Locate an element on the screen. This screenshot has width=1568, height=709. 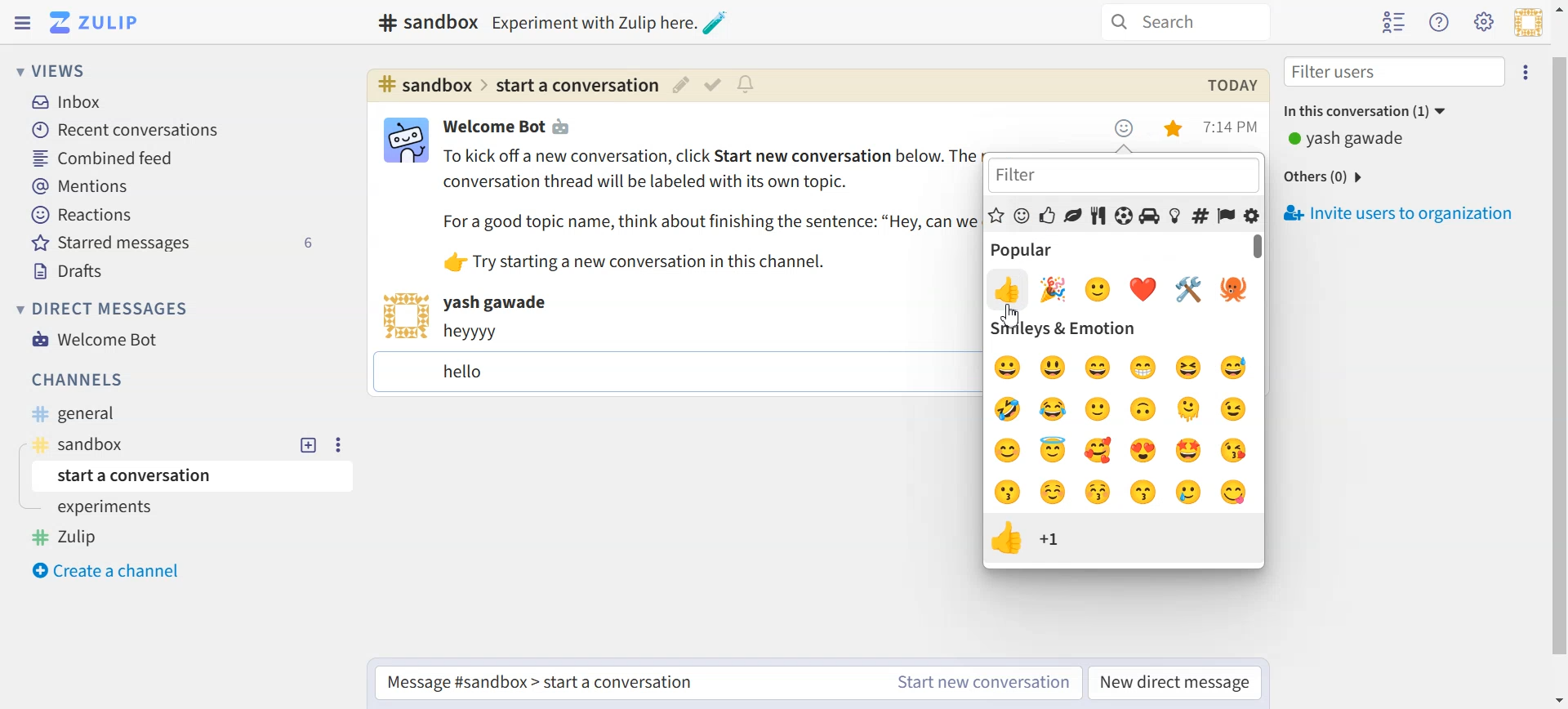
star struck is located at coordinates (1193, 453).